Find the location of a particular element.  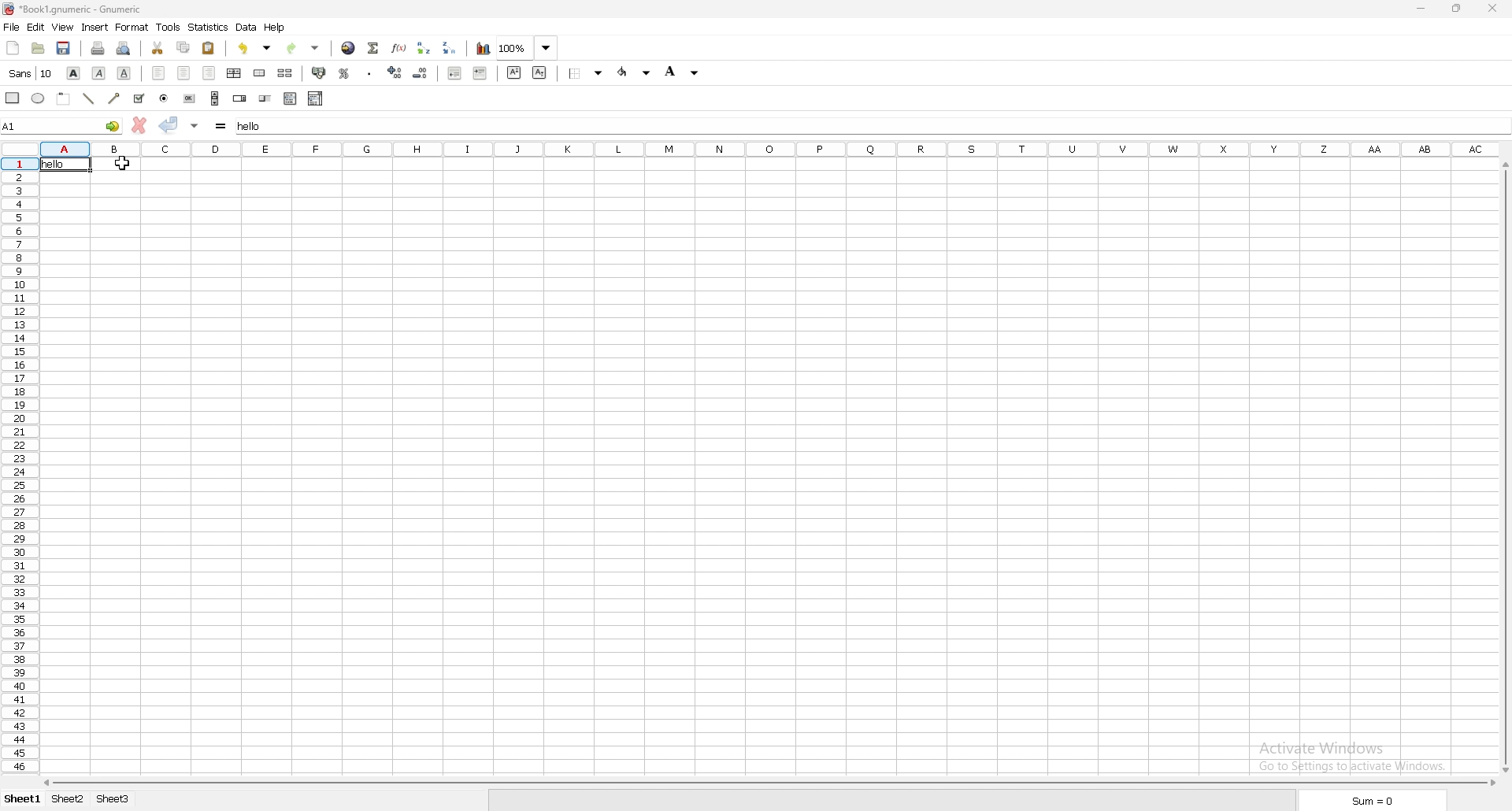

center is located at coordinates (183, 72).